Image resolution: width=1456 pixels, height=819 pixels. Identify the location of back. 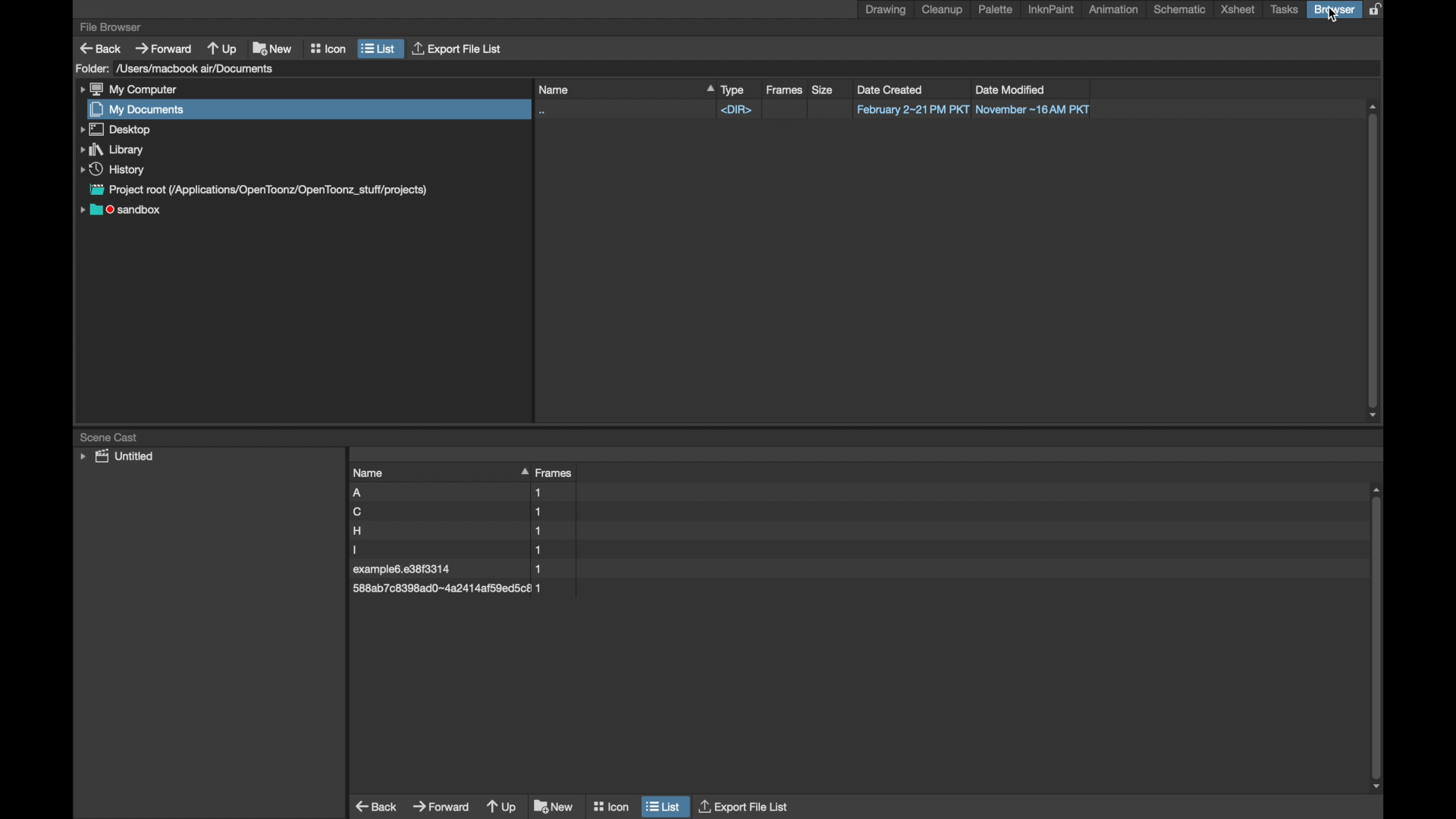
(375, 806).